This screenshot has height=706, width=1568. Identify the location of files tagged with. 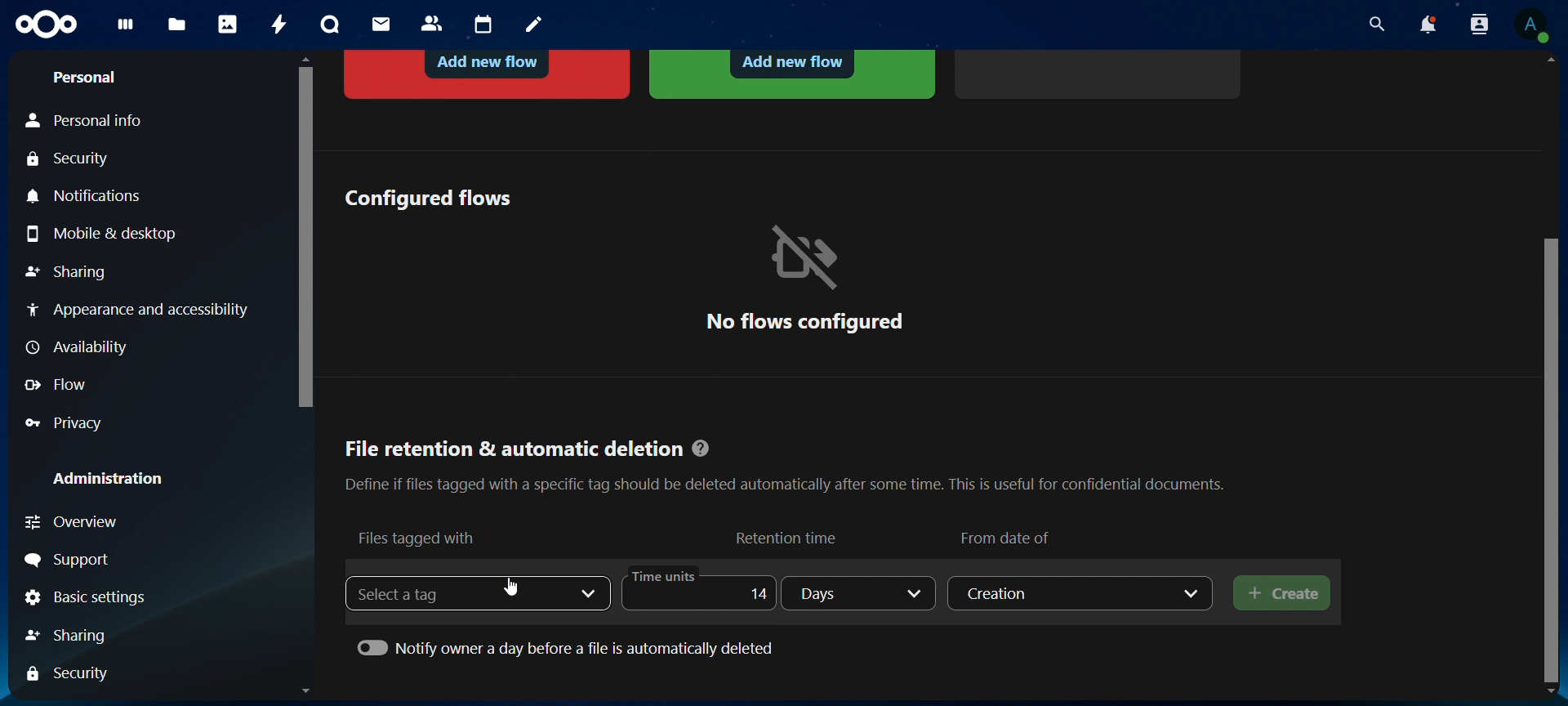
(418, 537).